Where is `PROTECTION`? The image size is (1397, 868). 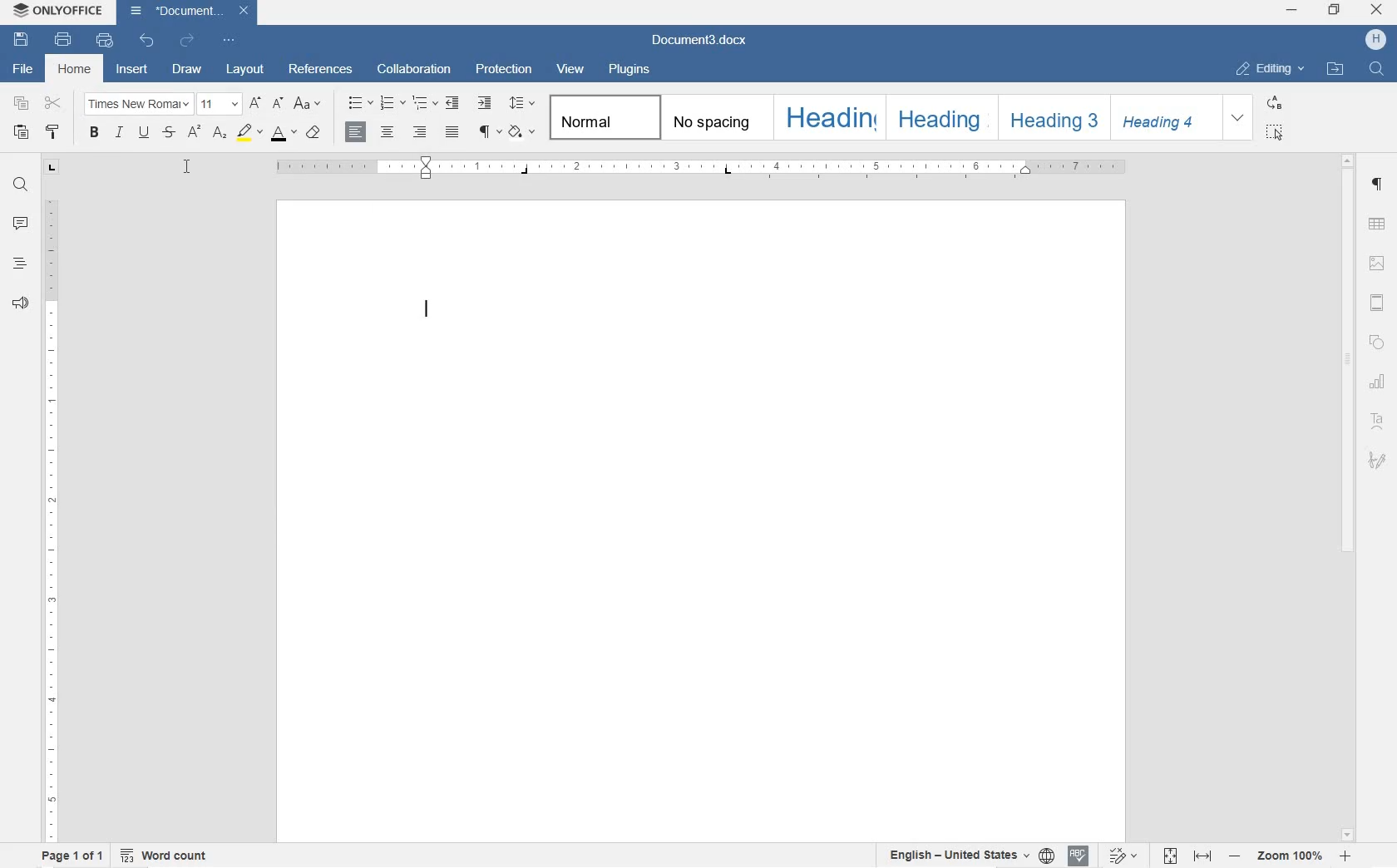
PROTECTION is located at coordinates (506, 67).